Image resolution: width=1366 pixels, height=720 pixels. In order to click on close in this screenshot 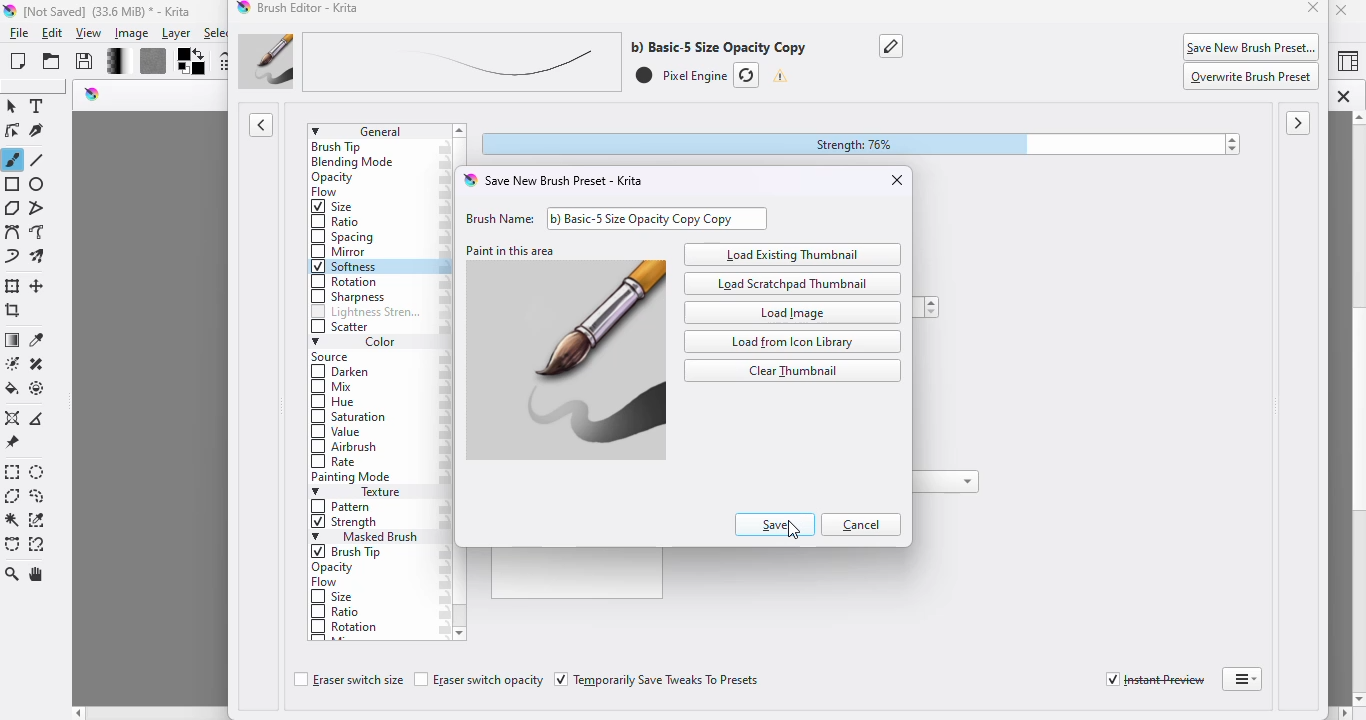, I will do `click(897, 180)`.